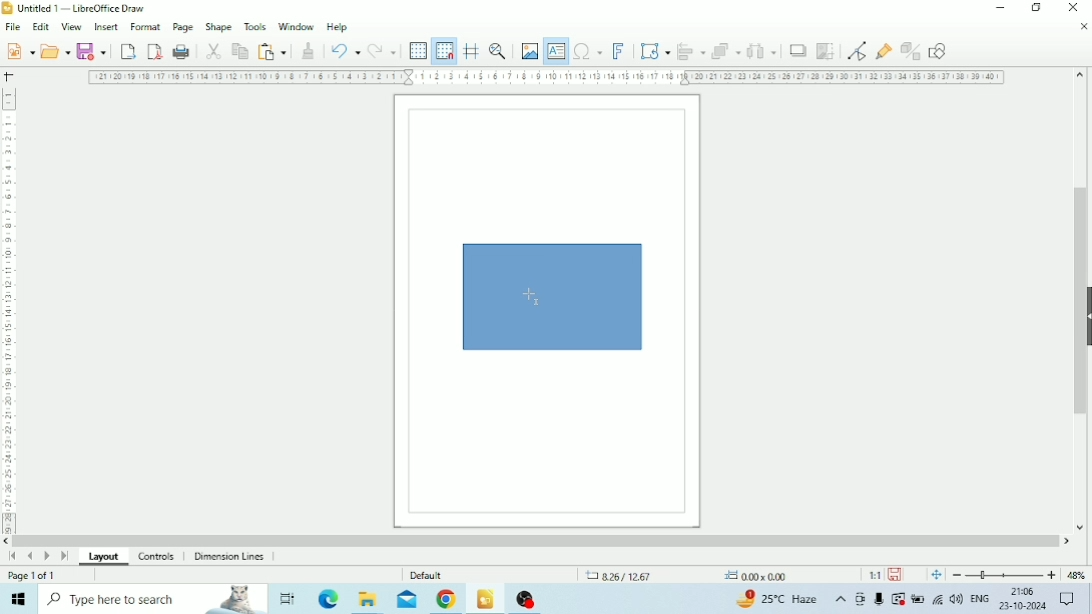  Describe the element at coordinates (826, 51) in the screenshot. I see `Crop Image` at that location.